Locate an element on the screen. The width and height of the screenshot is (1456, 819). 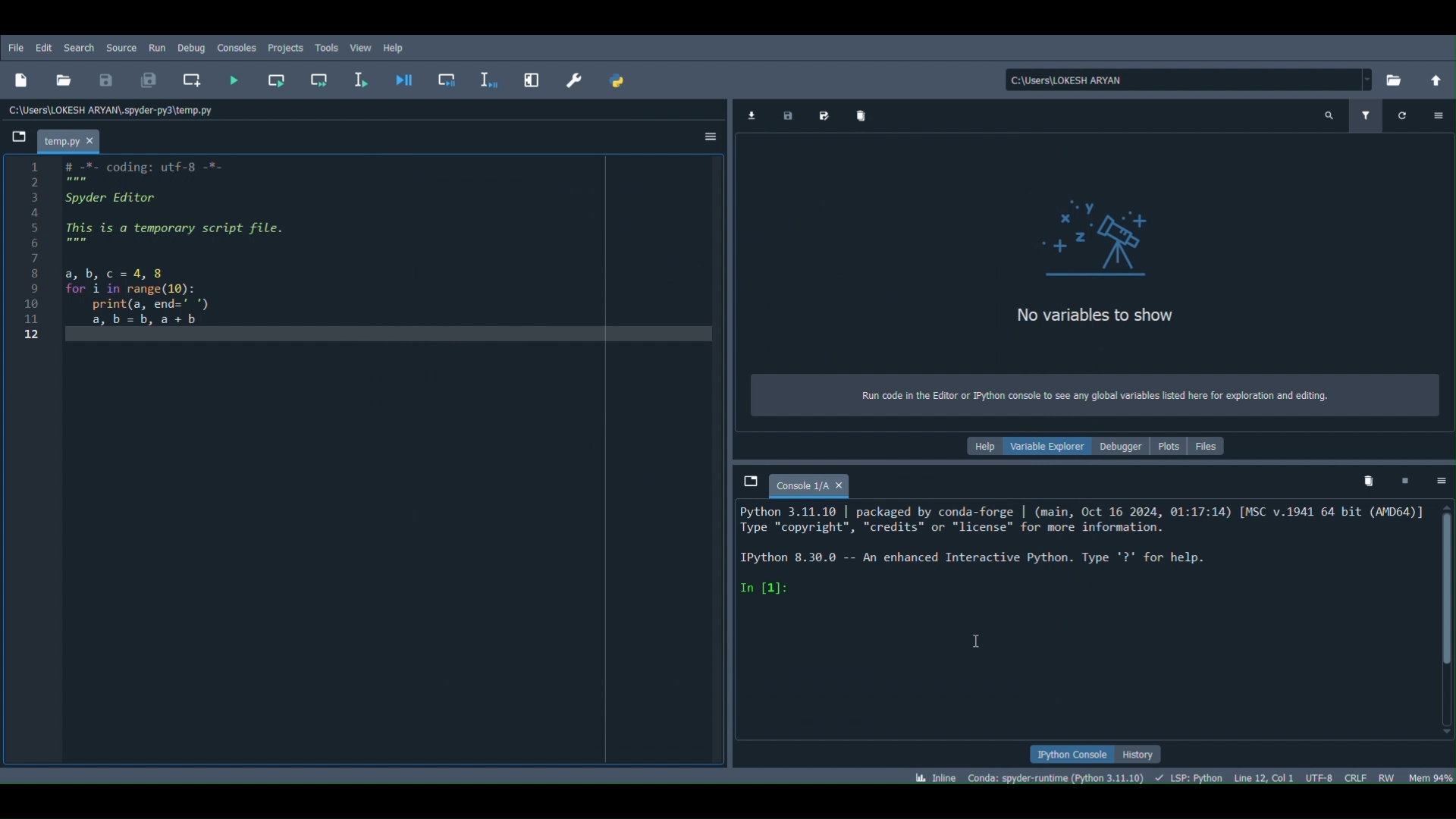
Options is located at coordinates (1436, 114).